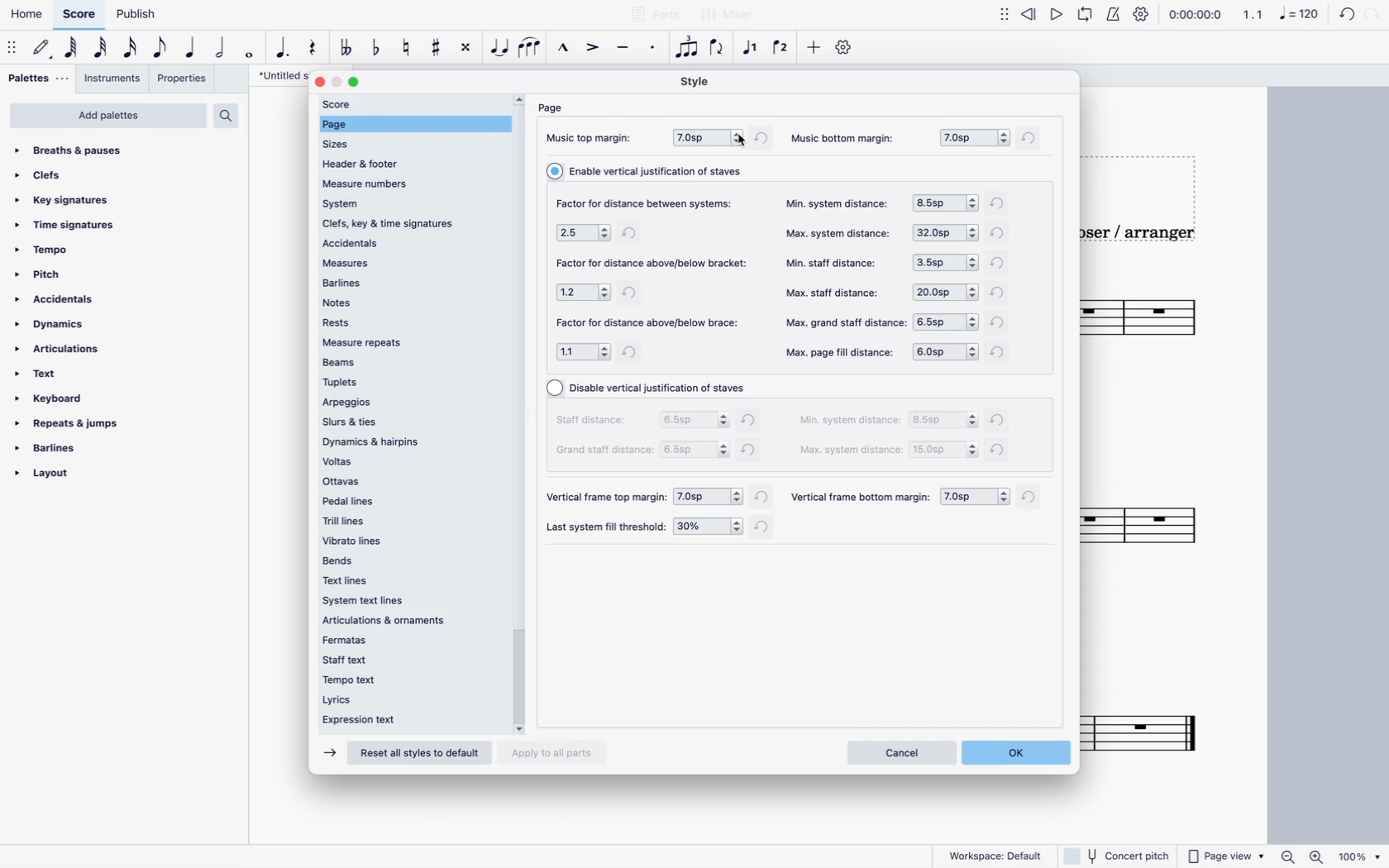  What do you see at coordinates (972, 136) in the screenshot?
I see `bottom margin` at bounding box center [972, 136].